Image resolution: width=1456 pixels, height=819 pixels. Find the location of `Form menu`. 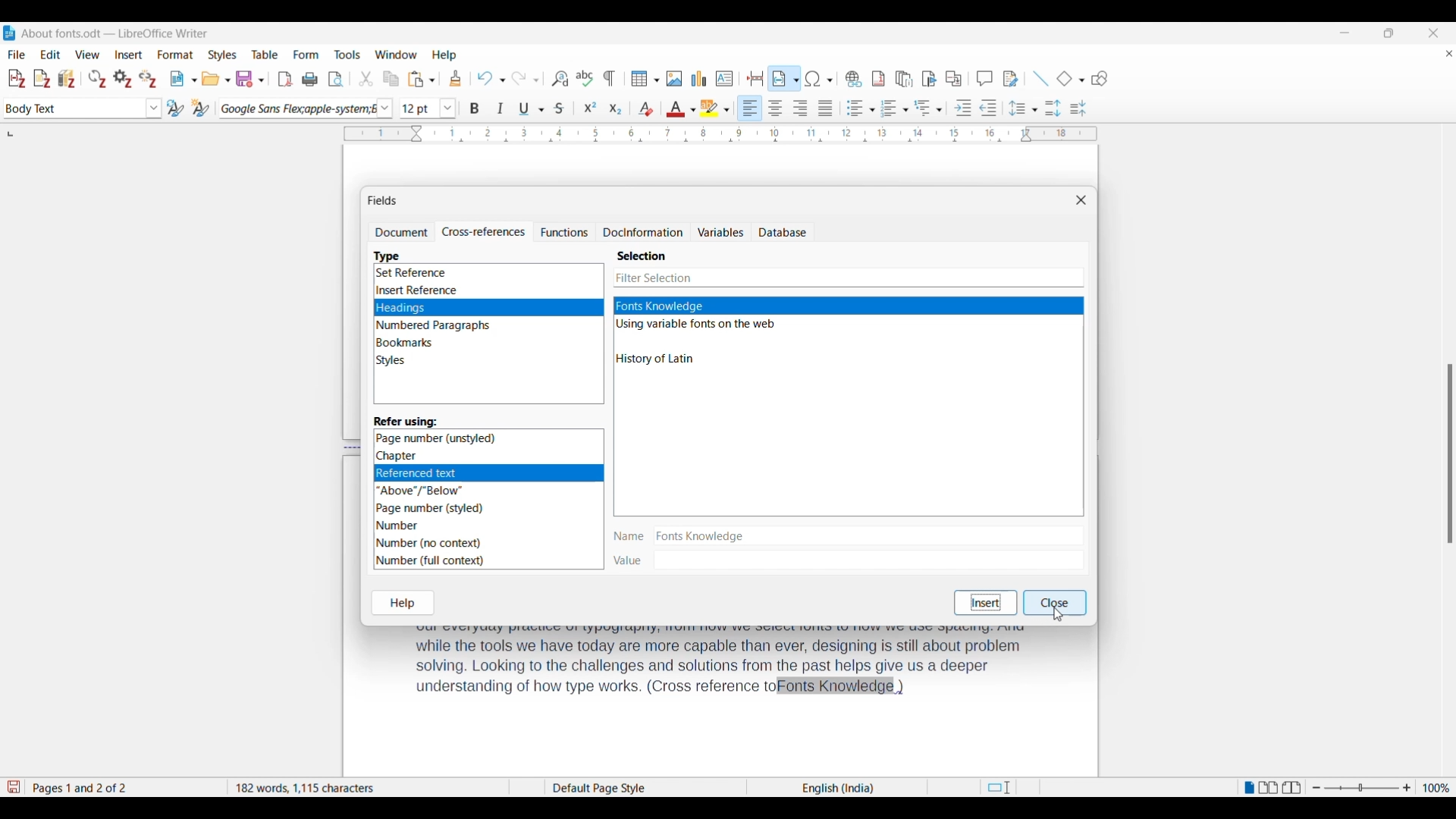

Form menu is located at coordinates (306, 55).